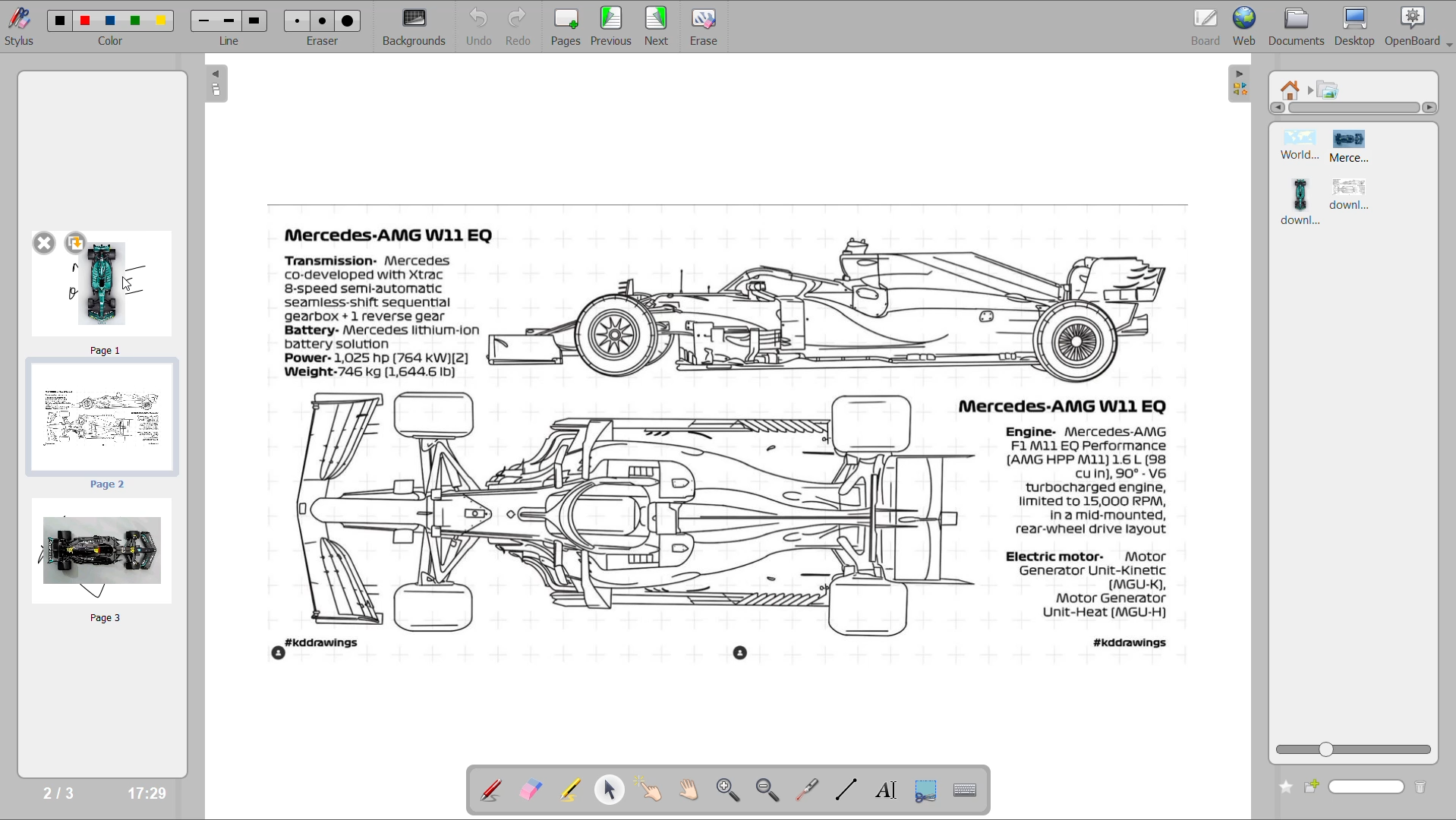  I want to click on virtual laser pointer, so click(807, 789).